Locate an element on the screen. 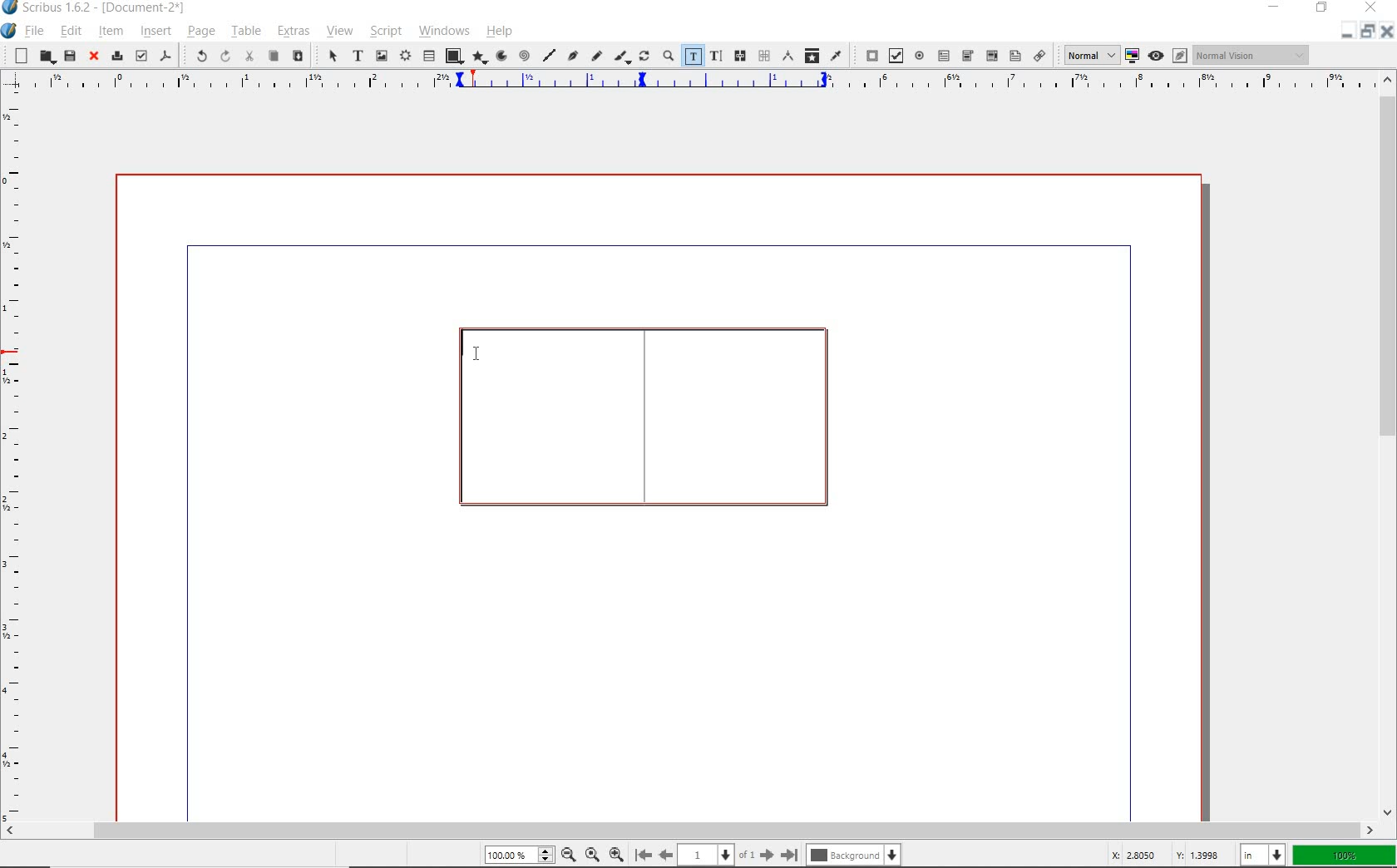 This screenshot has width=1397, height=868. view is located at coordinates (338, 31).